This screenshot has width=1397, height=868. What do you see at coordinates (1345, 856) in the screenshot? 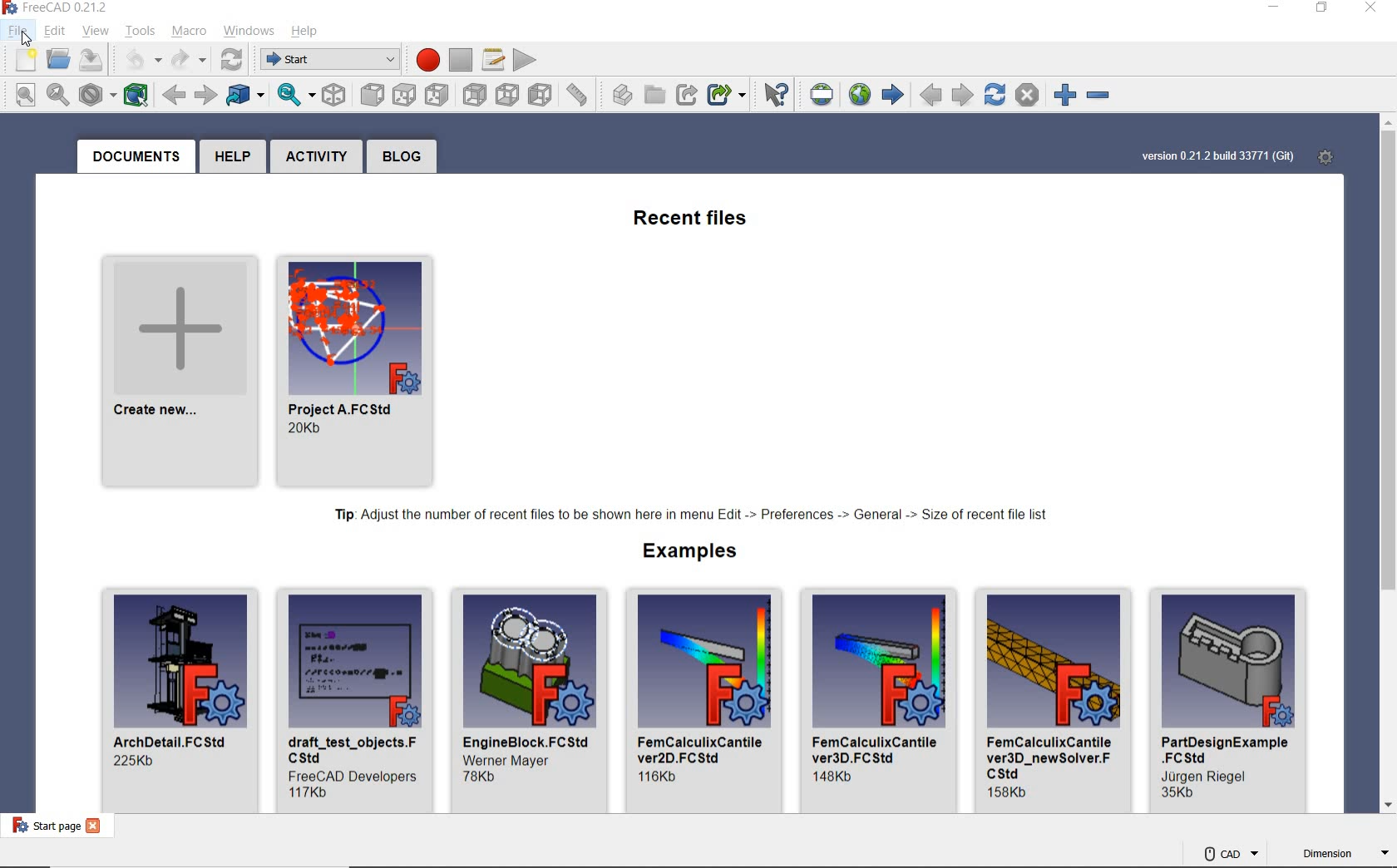
I see `DIMENSION` at bounding box center [1345, 856].